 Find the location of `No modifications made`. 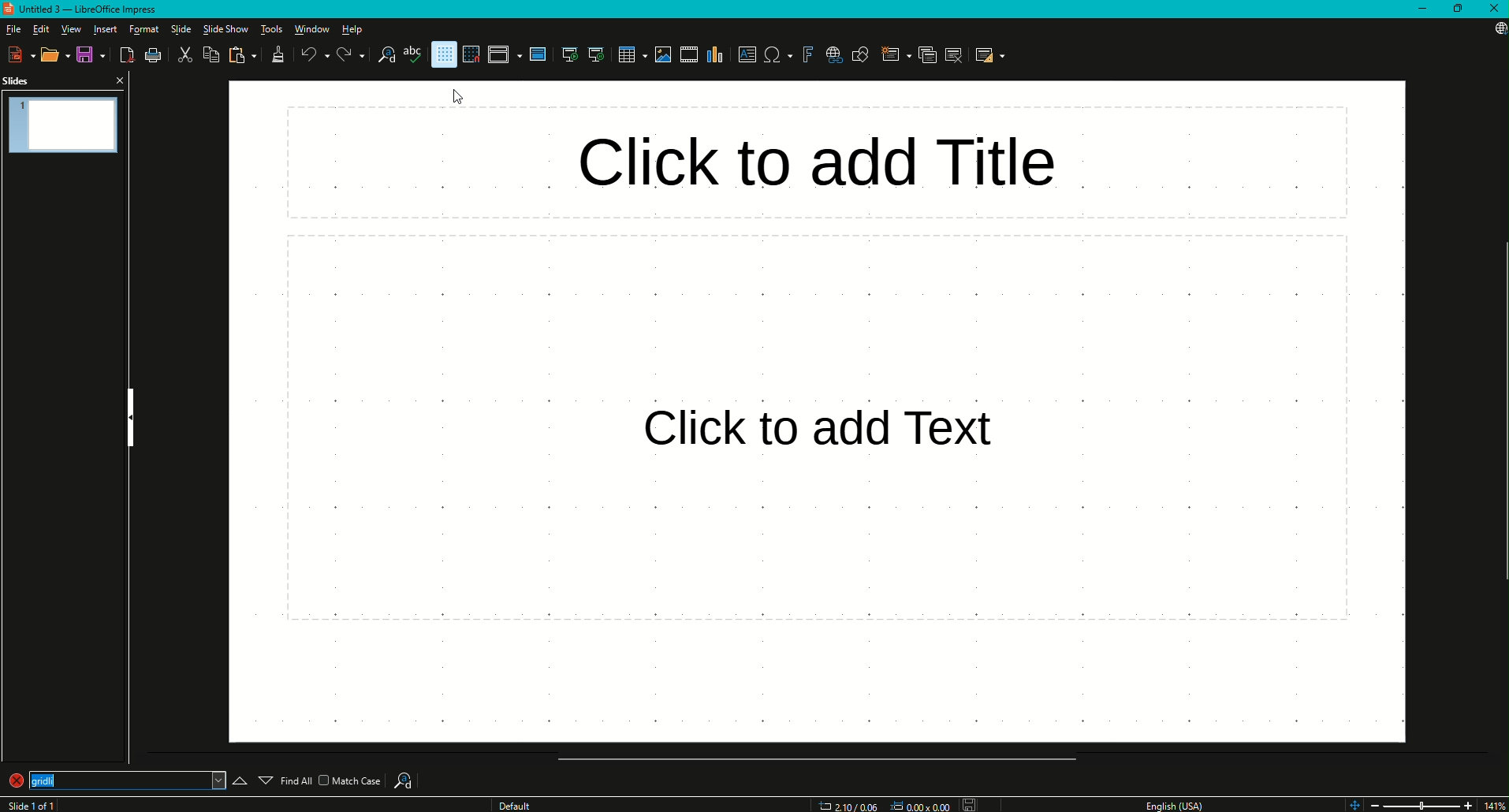

No modifications made is located at coordinates (969, 801).